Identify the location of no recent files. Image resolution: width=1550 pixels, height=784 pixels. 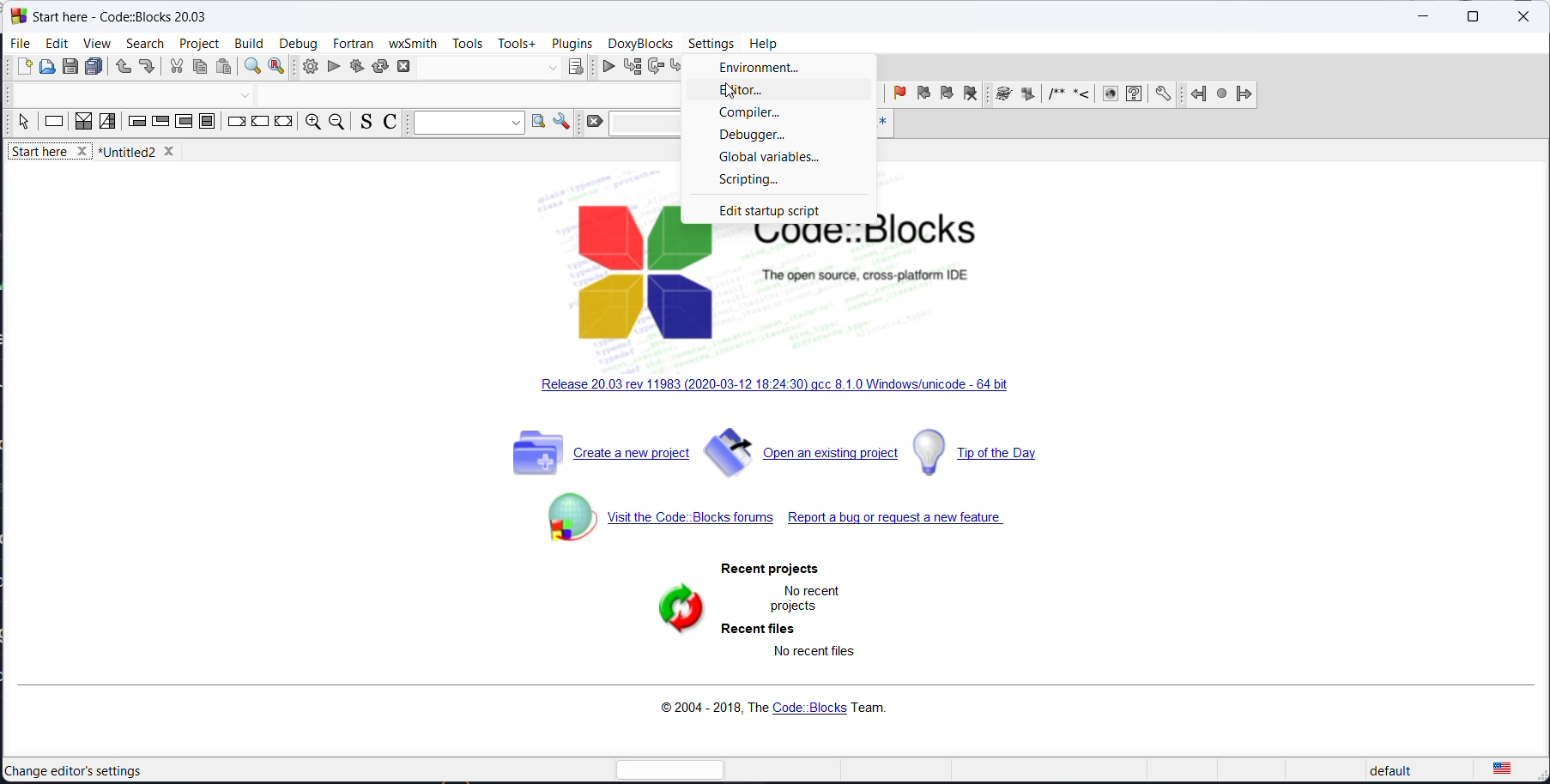
(809, 657).